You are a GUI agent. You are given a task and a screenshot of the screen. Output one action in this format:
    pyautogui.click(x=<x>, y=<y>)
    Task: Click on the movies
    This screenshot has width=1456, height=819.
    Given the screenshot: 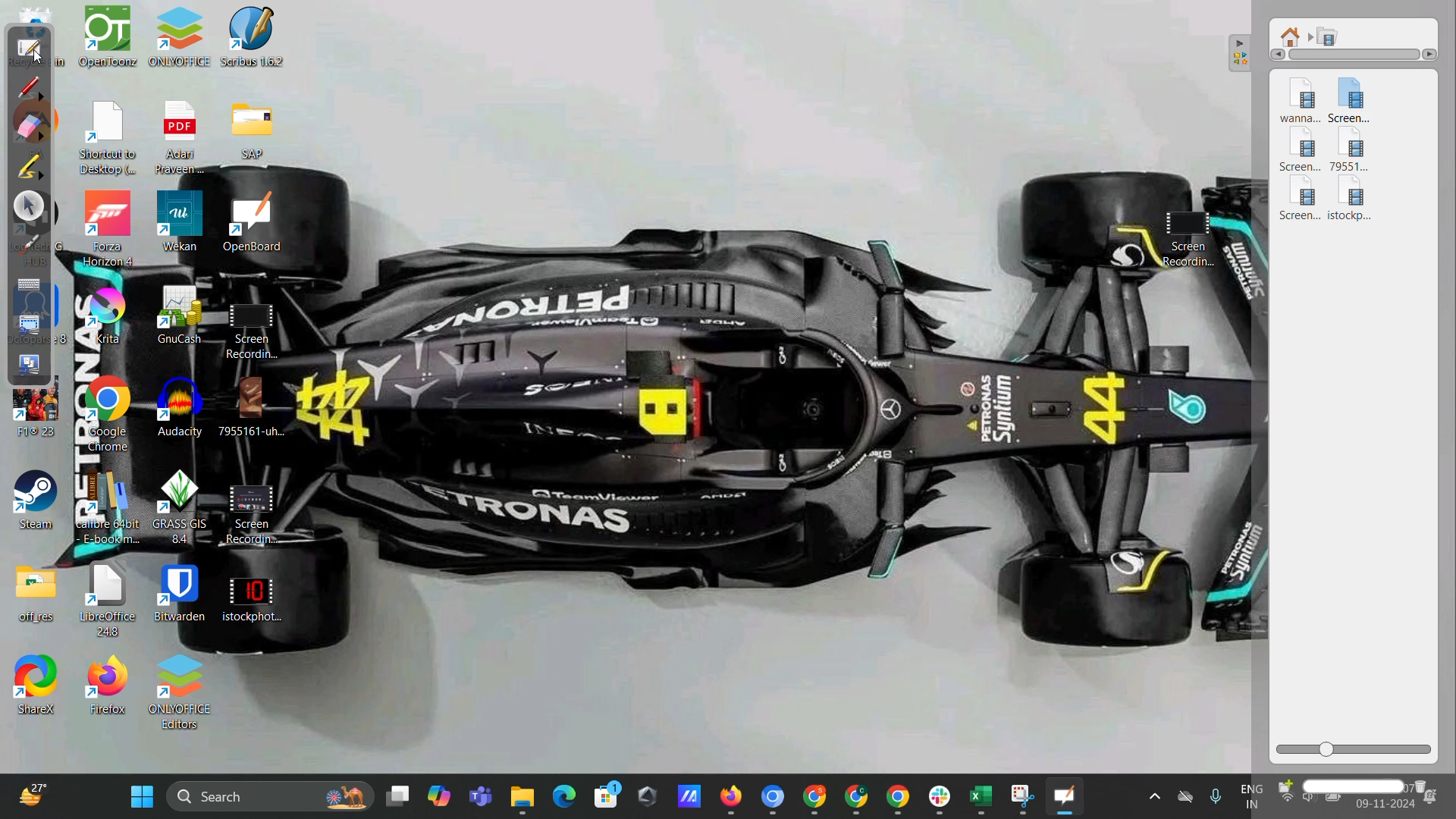 What is the action you would take?
    pyautogui.click(x=1326, y=36)
    